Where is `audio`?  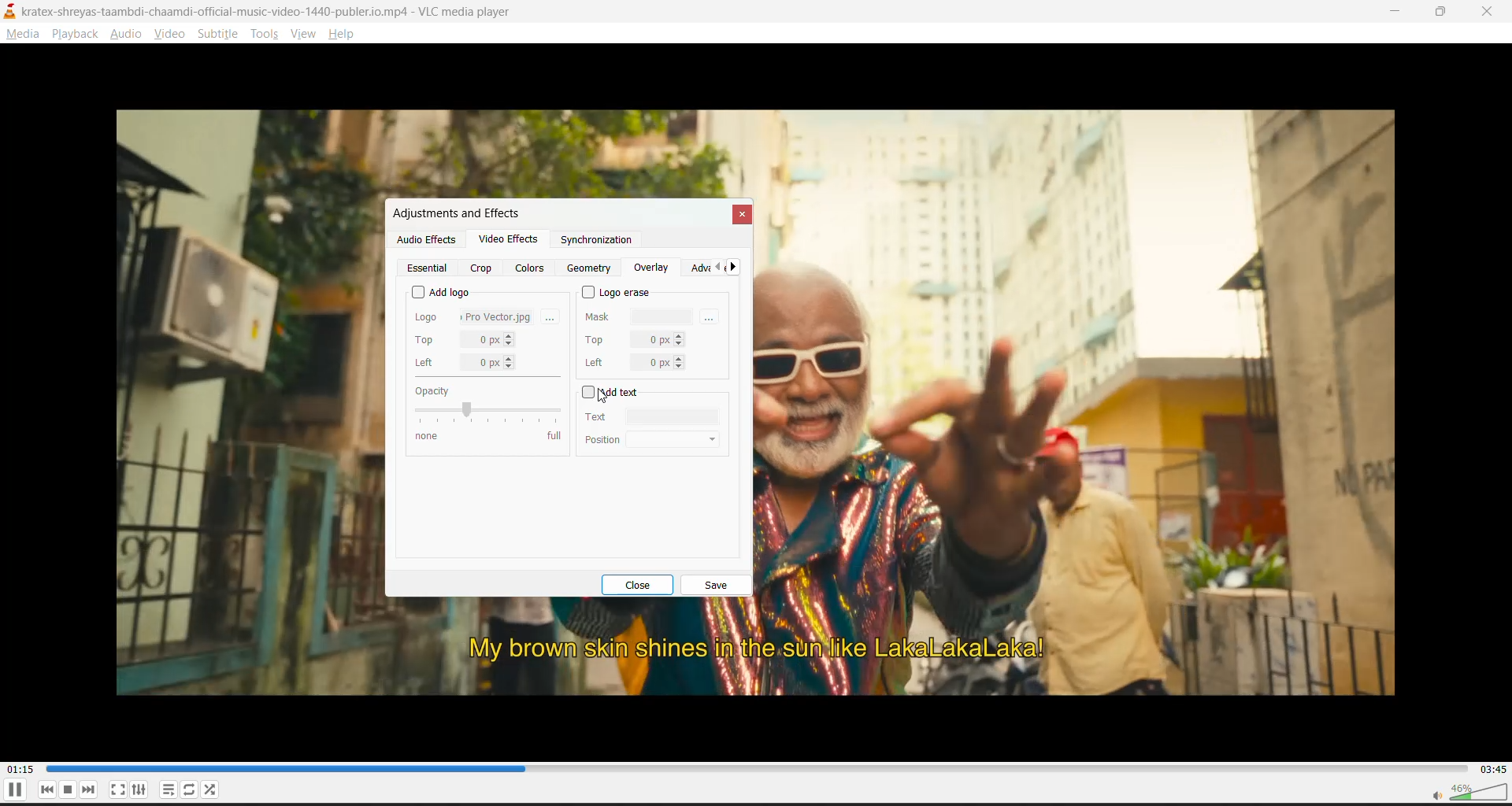 audio is located at coordinates (130, 35).